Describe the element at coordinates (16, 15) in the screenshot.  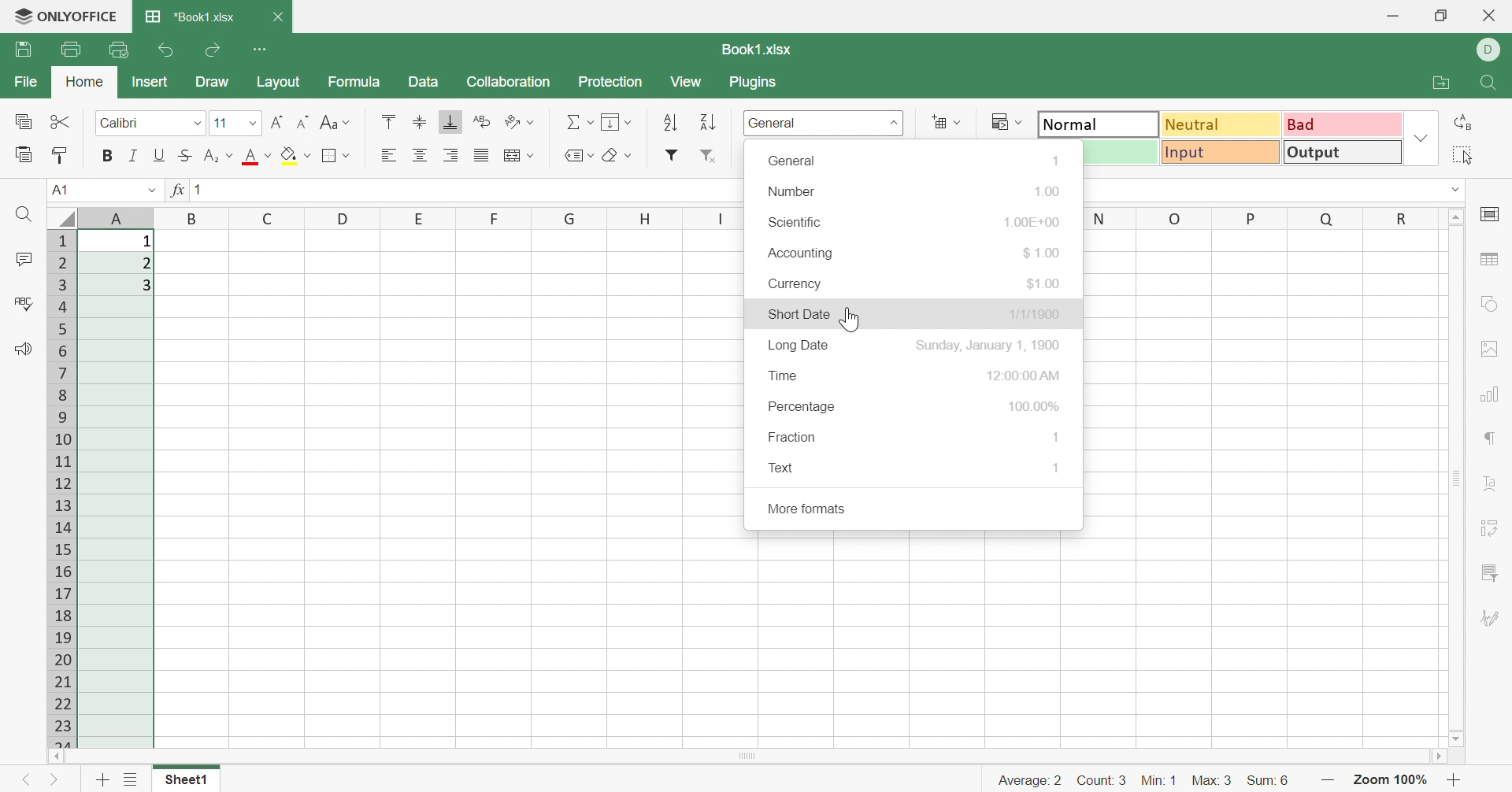
I see `logo` at that location.